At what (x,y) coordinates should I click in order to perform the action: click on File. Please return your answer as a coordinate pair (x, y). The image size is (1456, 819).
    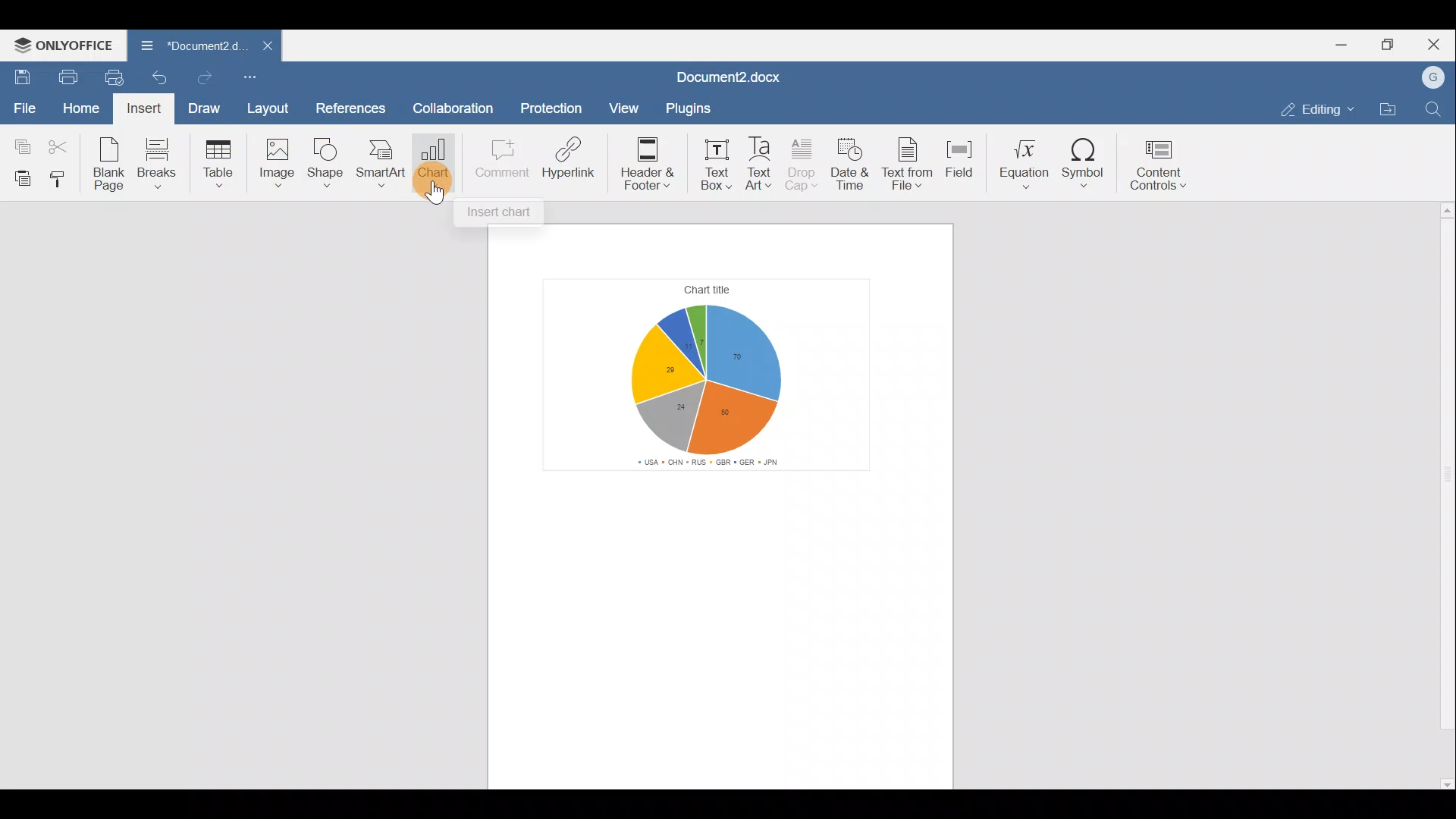
    Looking at the image, I should click on (23, 107).